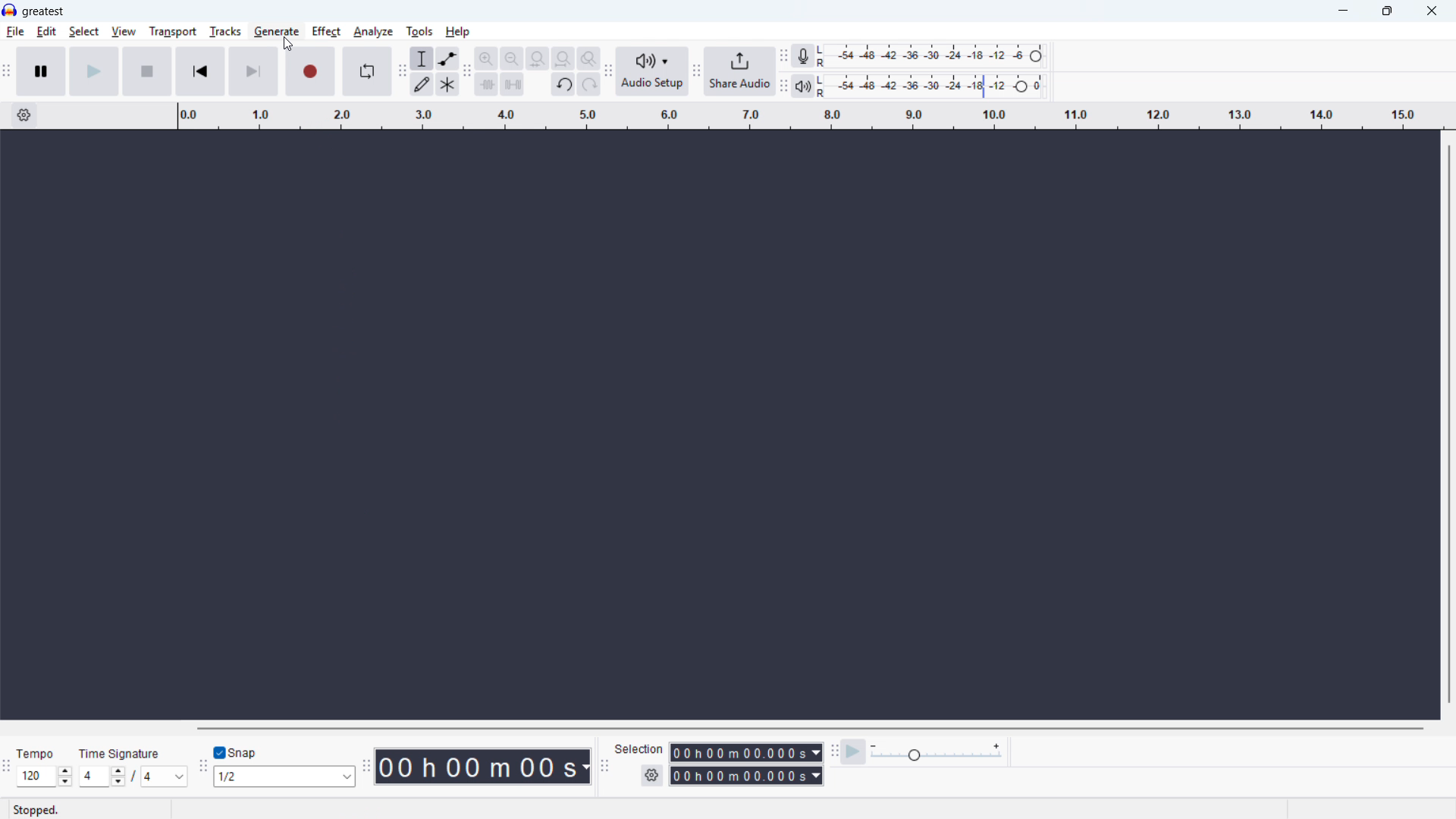 This screenshot has width=1456, height=819. What do you see at coordinates (783, 56) in the screenshot?
I see `recording meter toolbar` at bounding box center [783, 56].